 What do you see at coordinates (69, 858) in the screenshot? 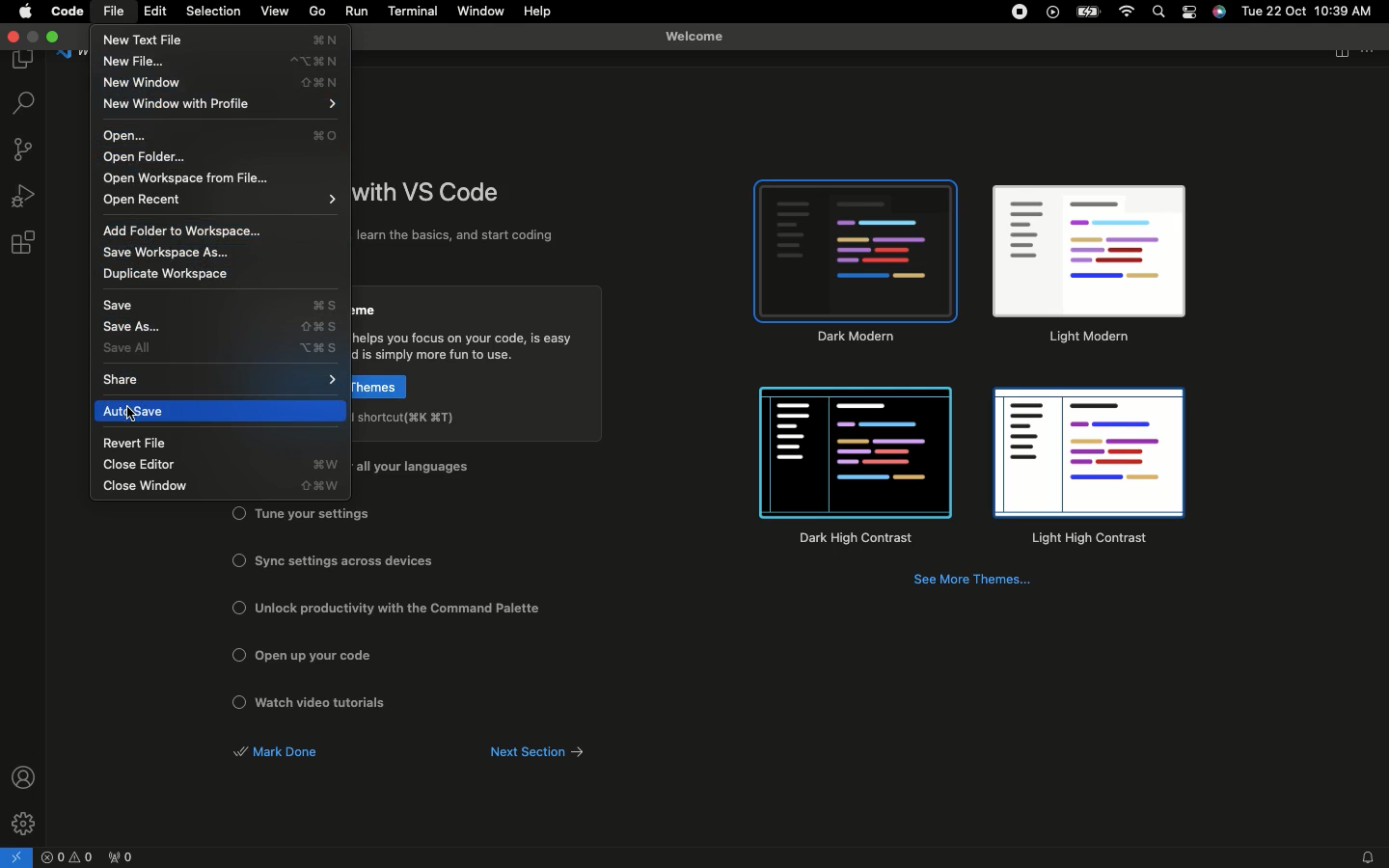
I see `Problems` at bounding box center [69, 858].